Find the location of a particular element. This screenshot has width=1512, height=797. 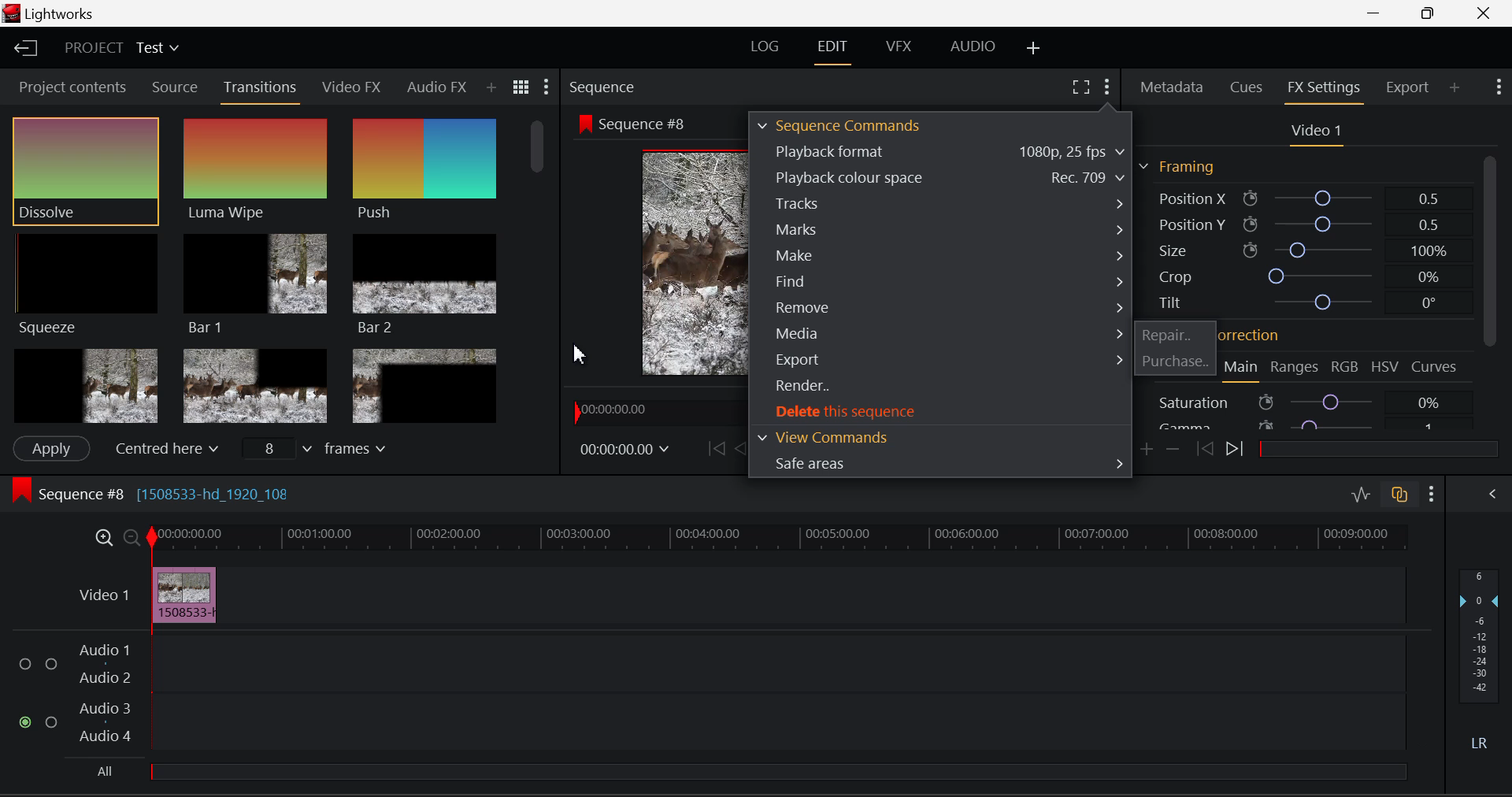

VFX Layout is located at coordinates (896, 50).